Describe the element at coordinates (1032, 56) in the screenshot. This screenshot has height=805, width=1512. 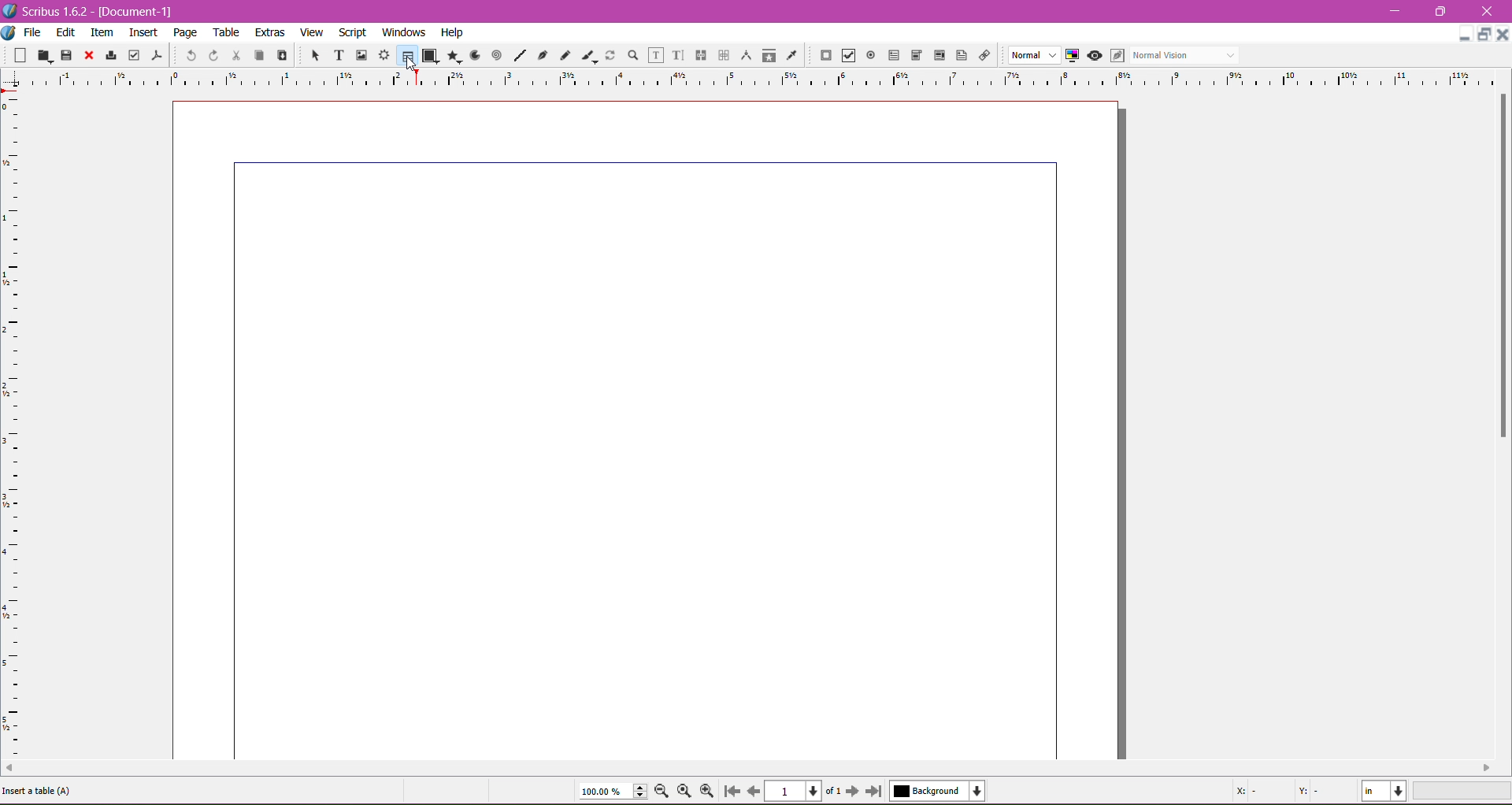
I see `Normal` at that location.